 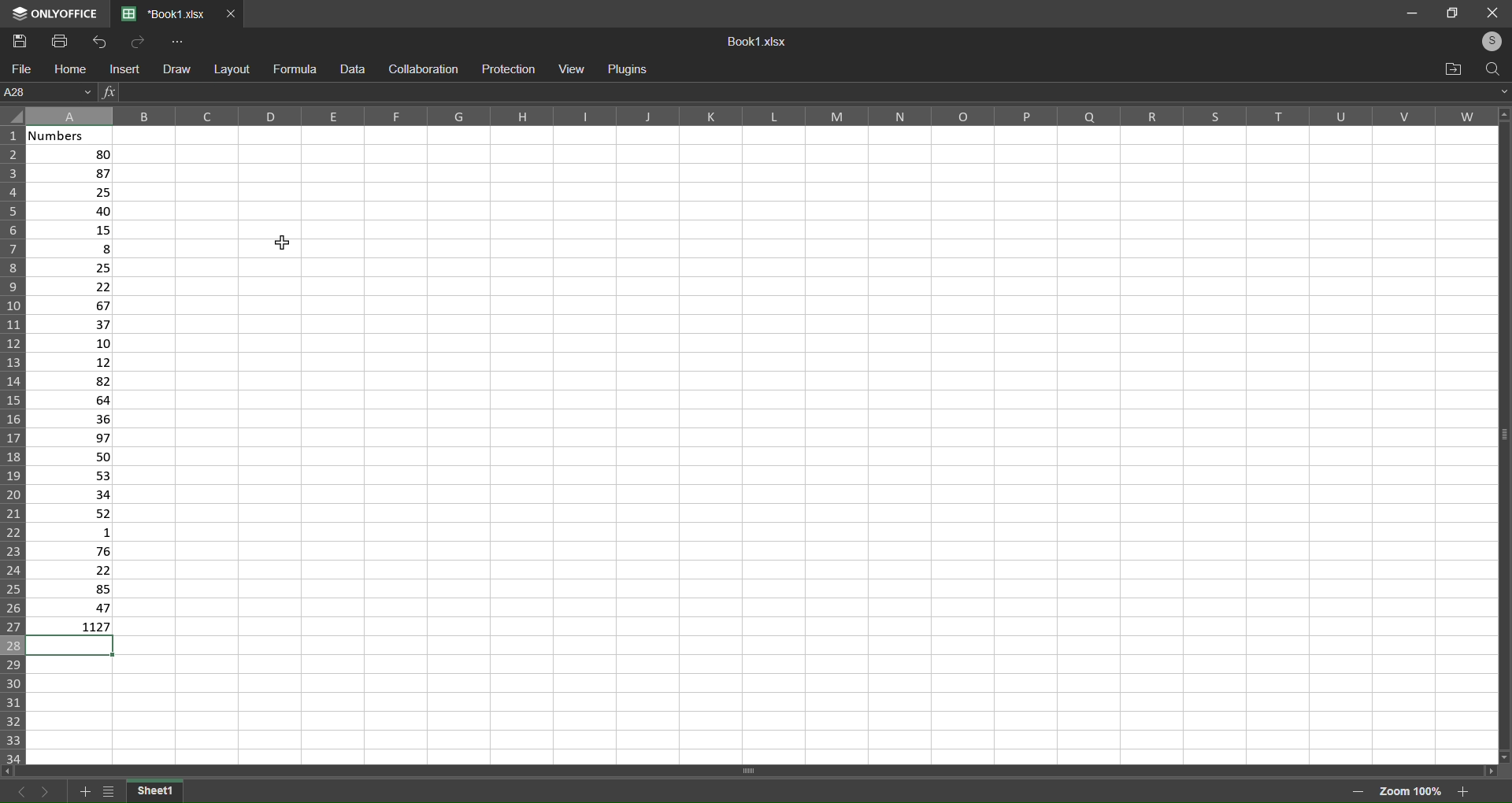 I want to click on Plugins, so click(x=633, y=70).